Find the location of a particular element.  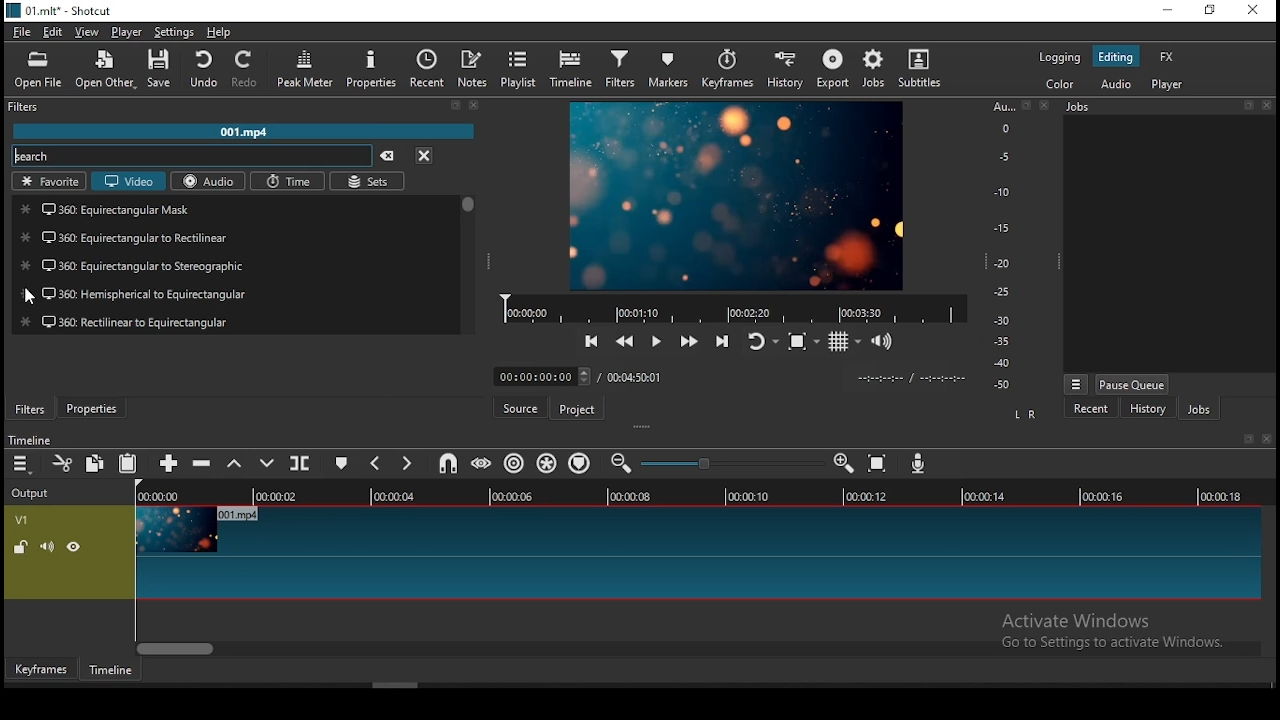

player is located at coordinates (1166, 84).